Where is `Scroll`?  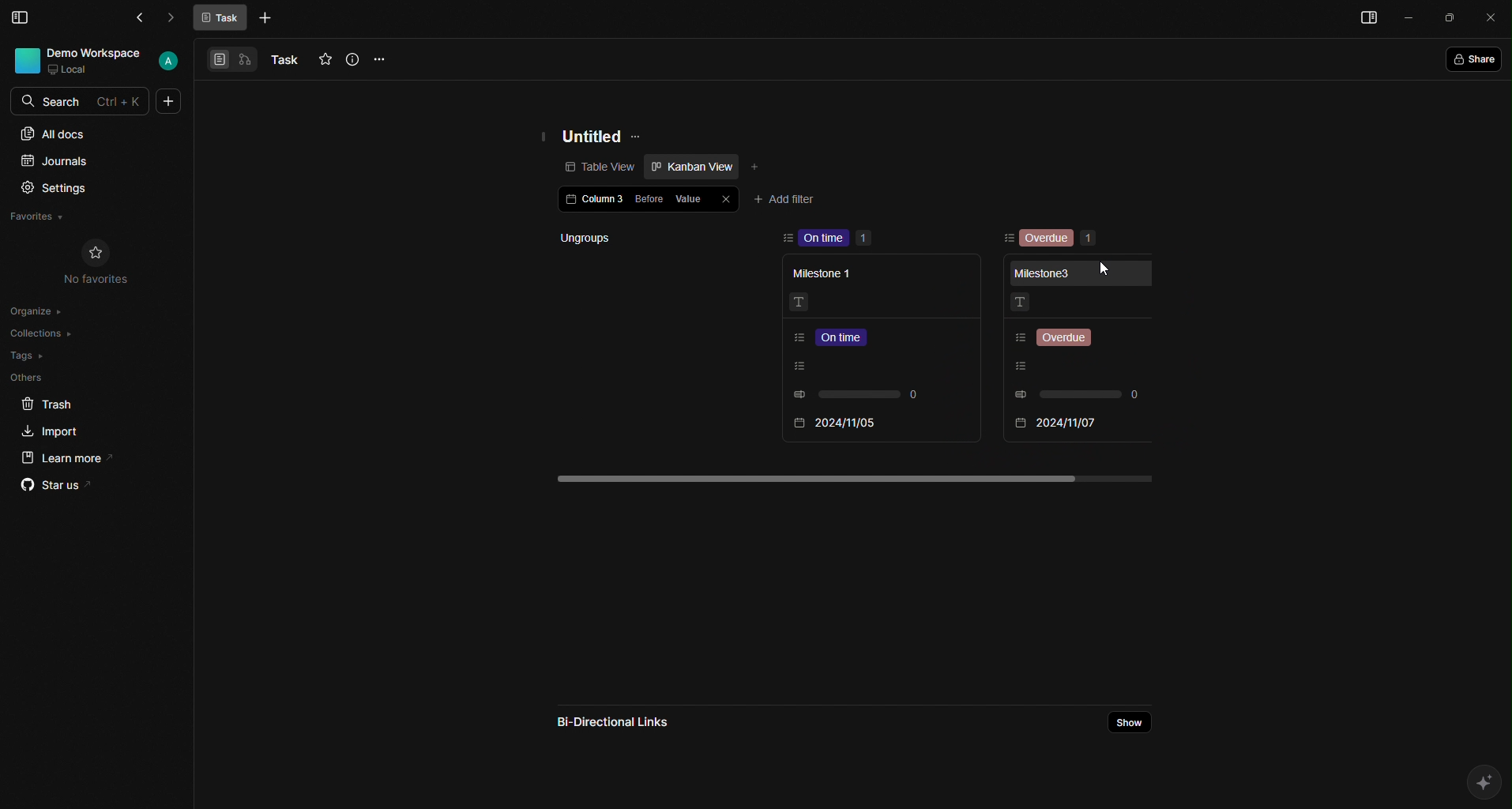
Scroll is located at coordinates (1502, 425).